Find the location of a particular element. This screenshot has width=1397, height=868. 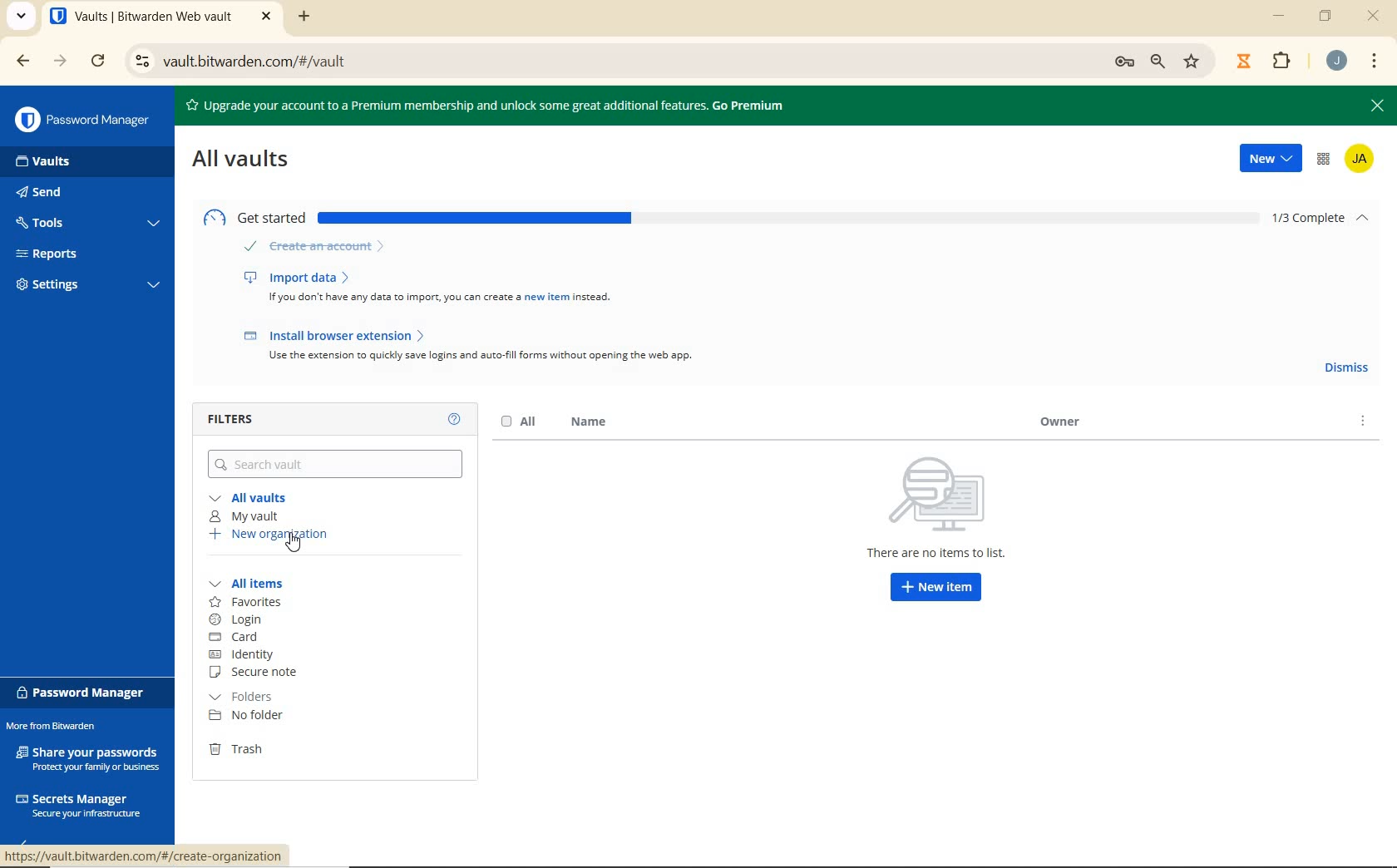

preferences is located at coordinates (1123, 62).